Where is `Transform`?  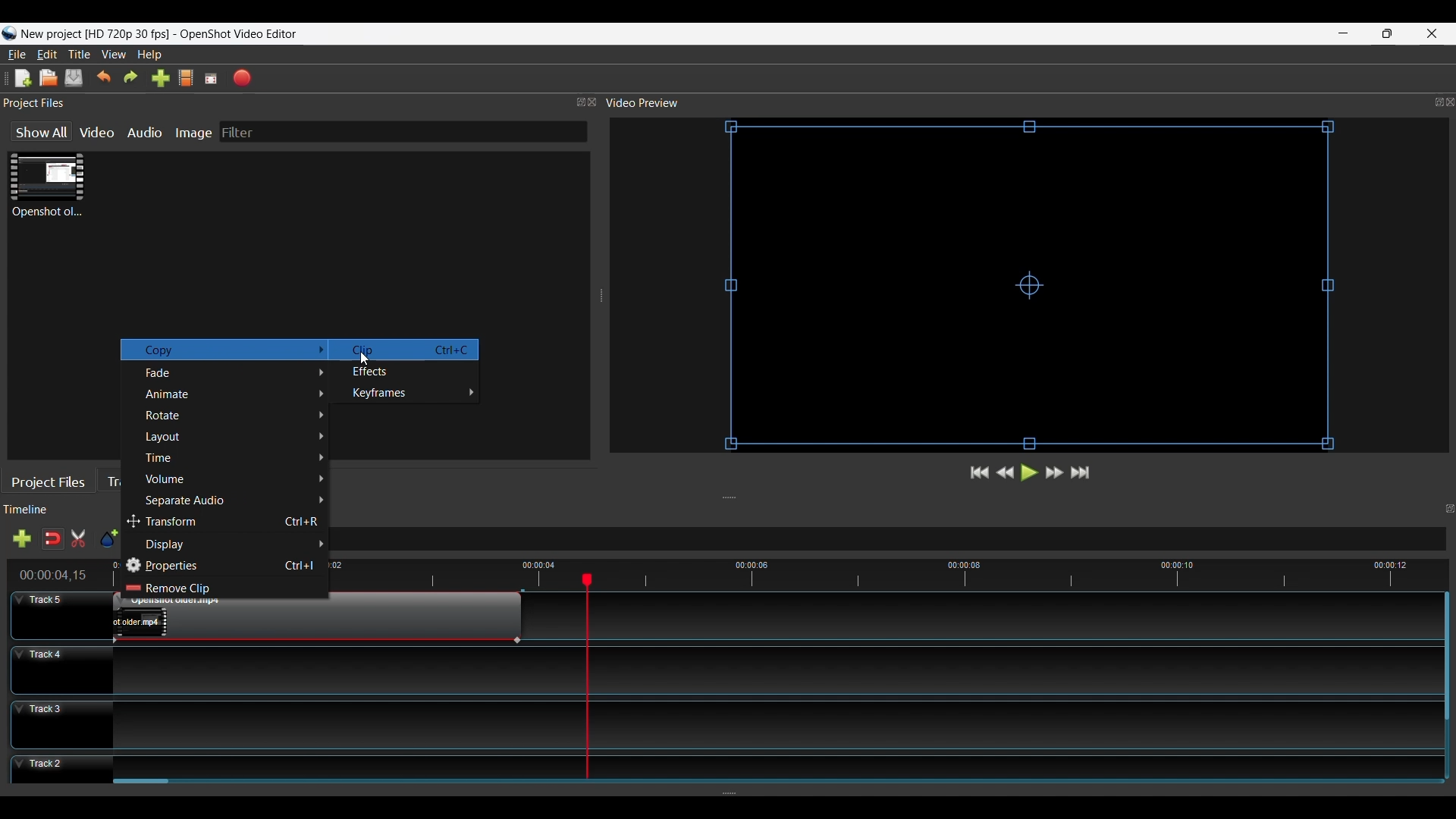 Transform is located at coordinates (227, 521).